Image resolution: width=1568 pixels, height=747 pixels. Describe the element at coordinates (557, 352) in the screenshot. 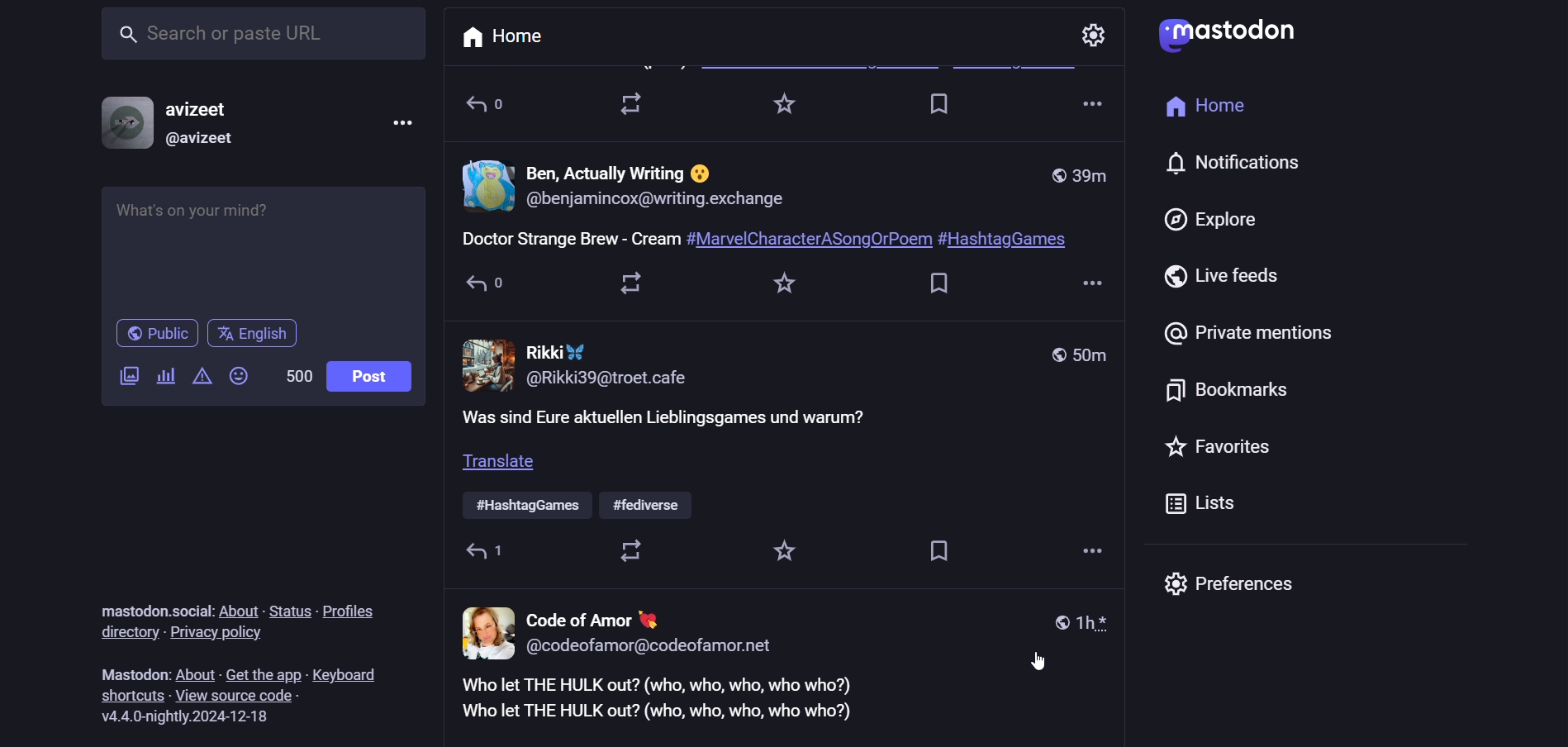

I see `rikki` at that location.